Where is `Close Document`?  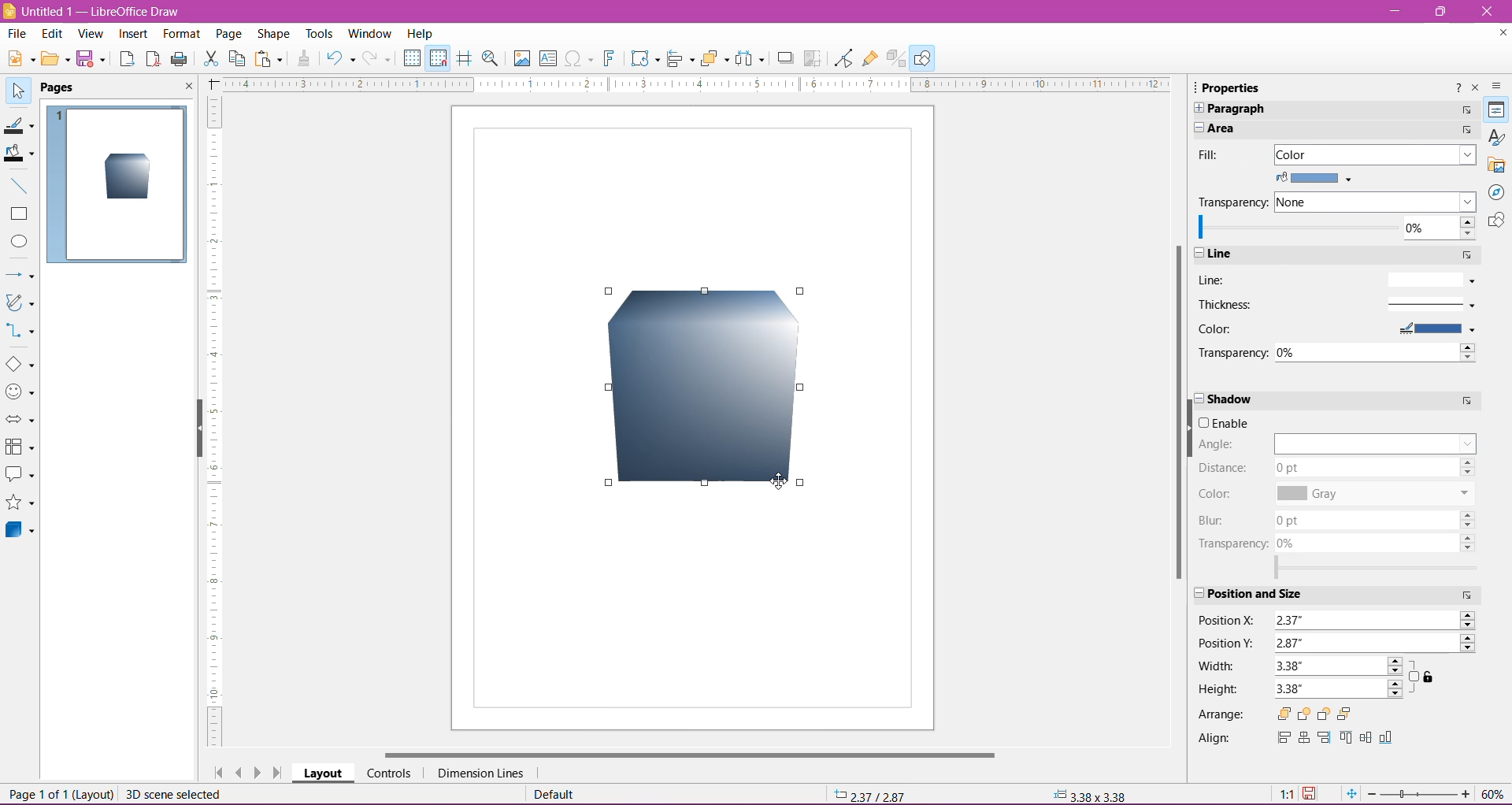 Close Document is located at coordinates (1499, 35).